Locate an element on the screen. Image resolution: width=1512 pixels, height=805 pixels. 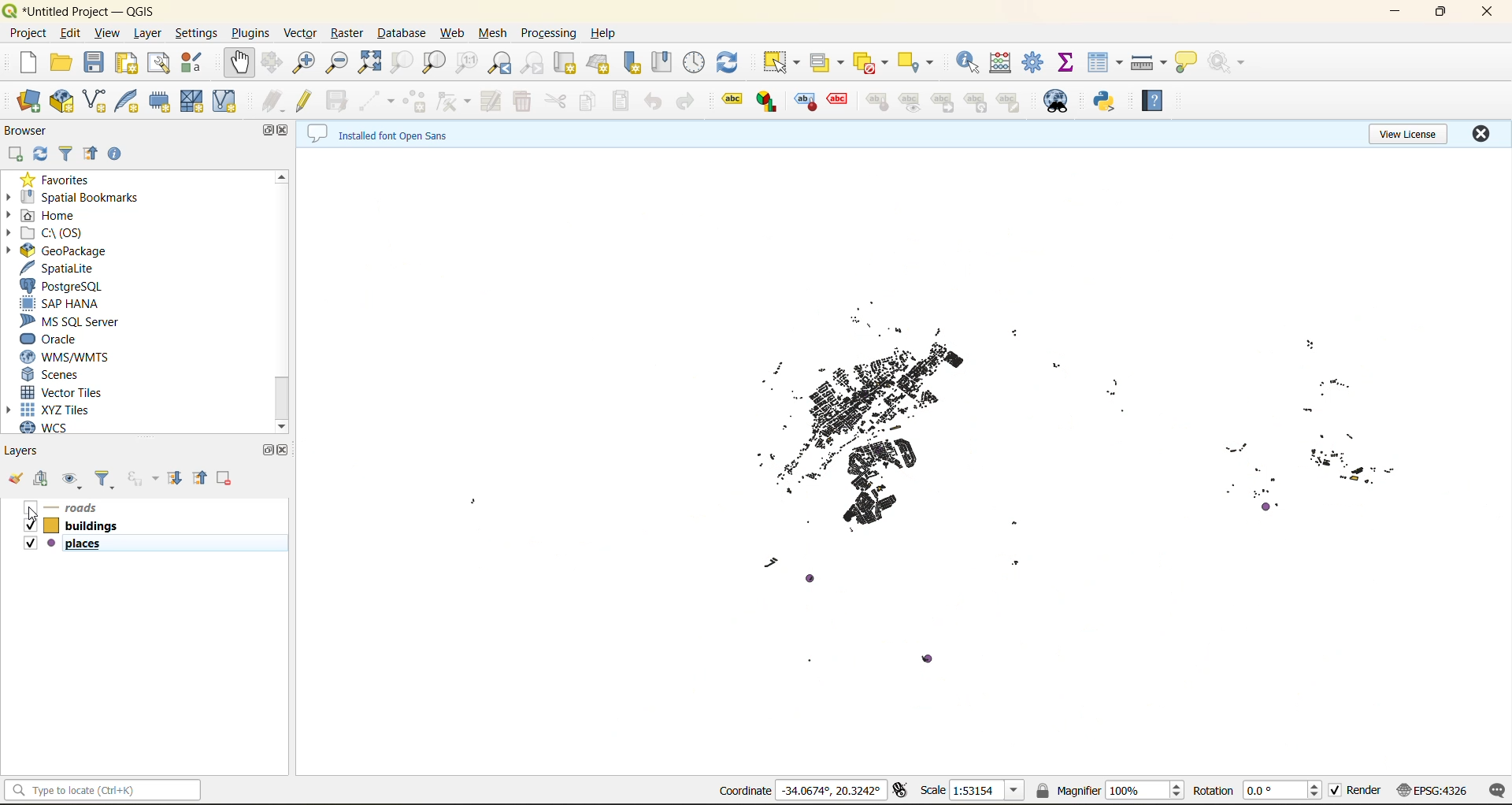
view license is located at coordinates (1404, 137).